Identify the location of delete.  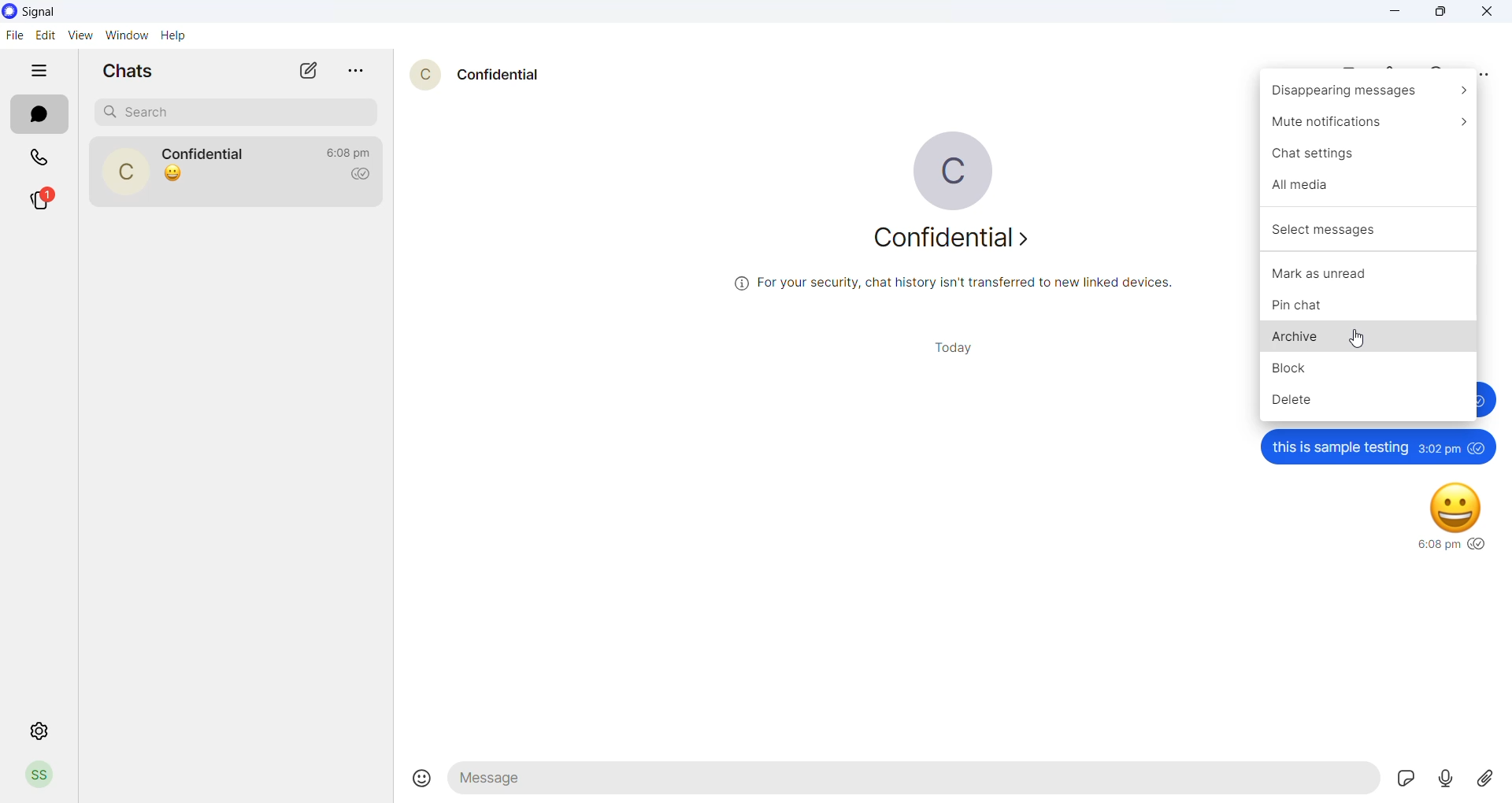
(1360, 402).